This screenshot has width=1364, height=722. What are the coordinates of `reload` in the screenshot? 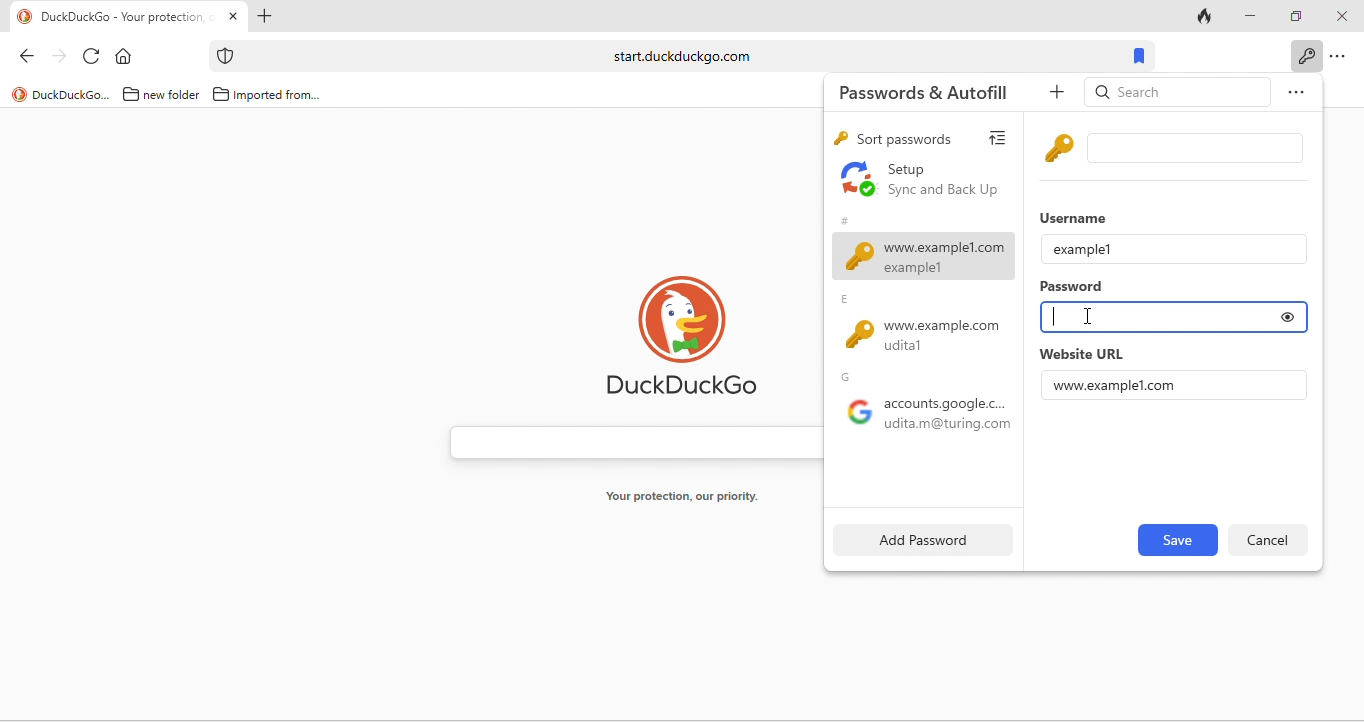 It's located at (93, 54).